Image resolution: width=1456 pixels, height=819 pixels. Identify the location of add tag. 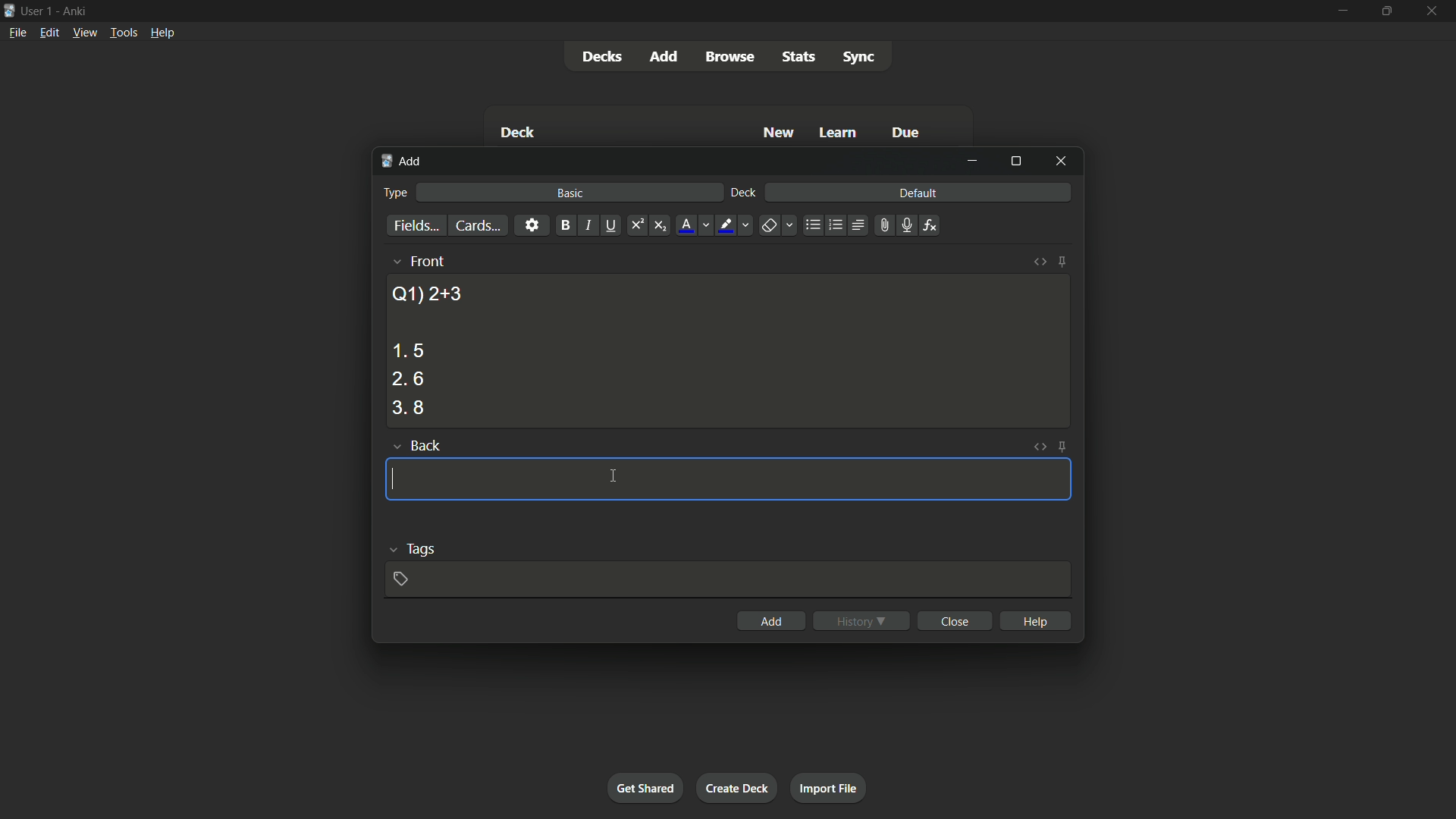
(400, 579).